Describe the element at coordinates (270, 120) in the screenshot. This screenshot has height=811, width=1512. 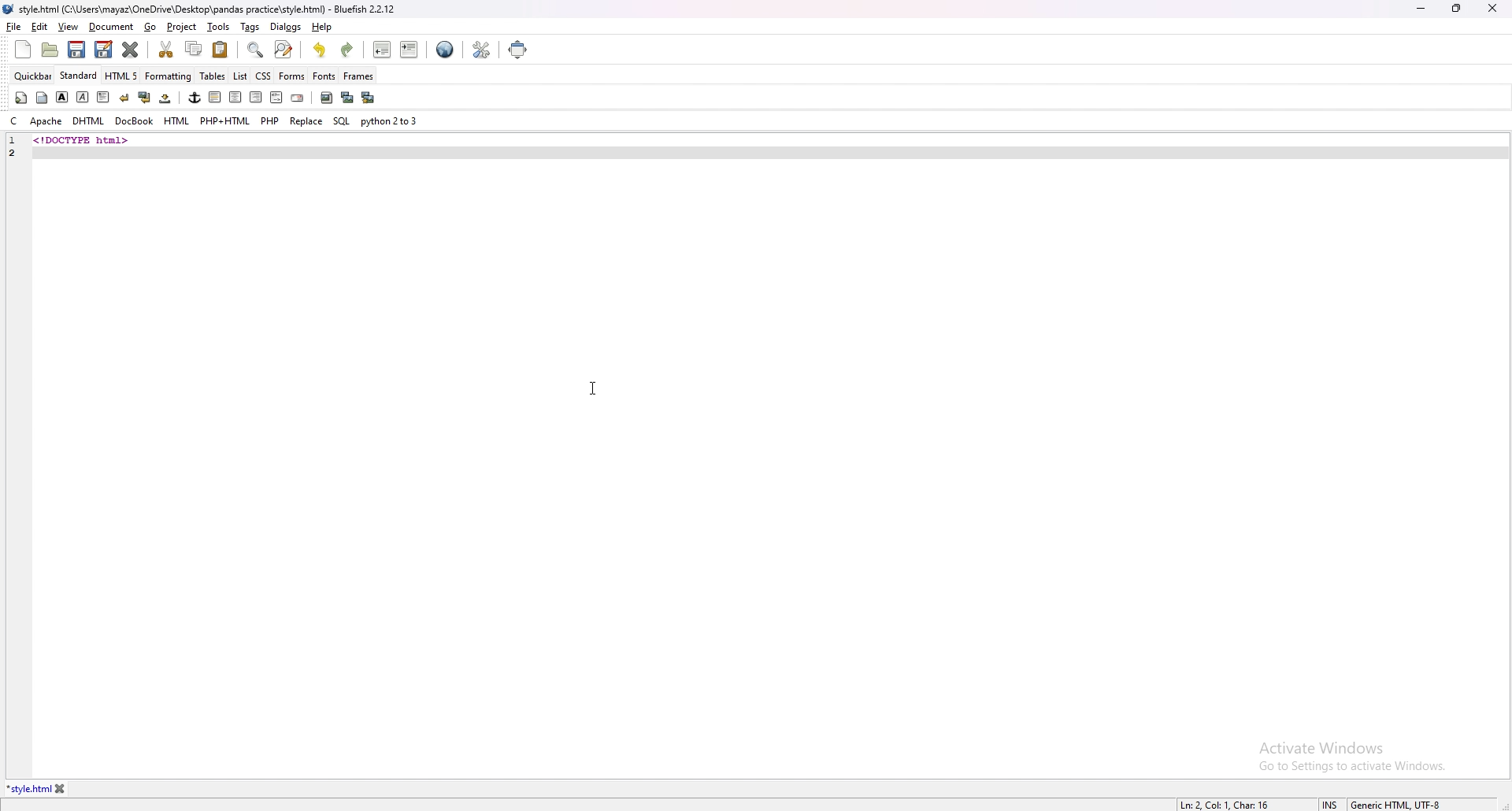
I see `php` at that location.